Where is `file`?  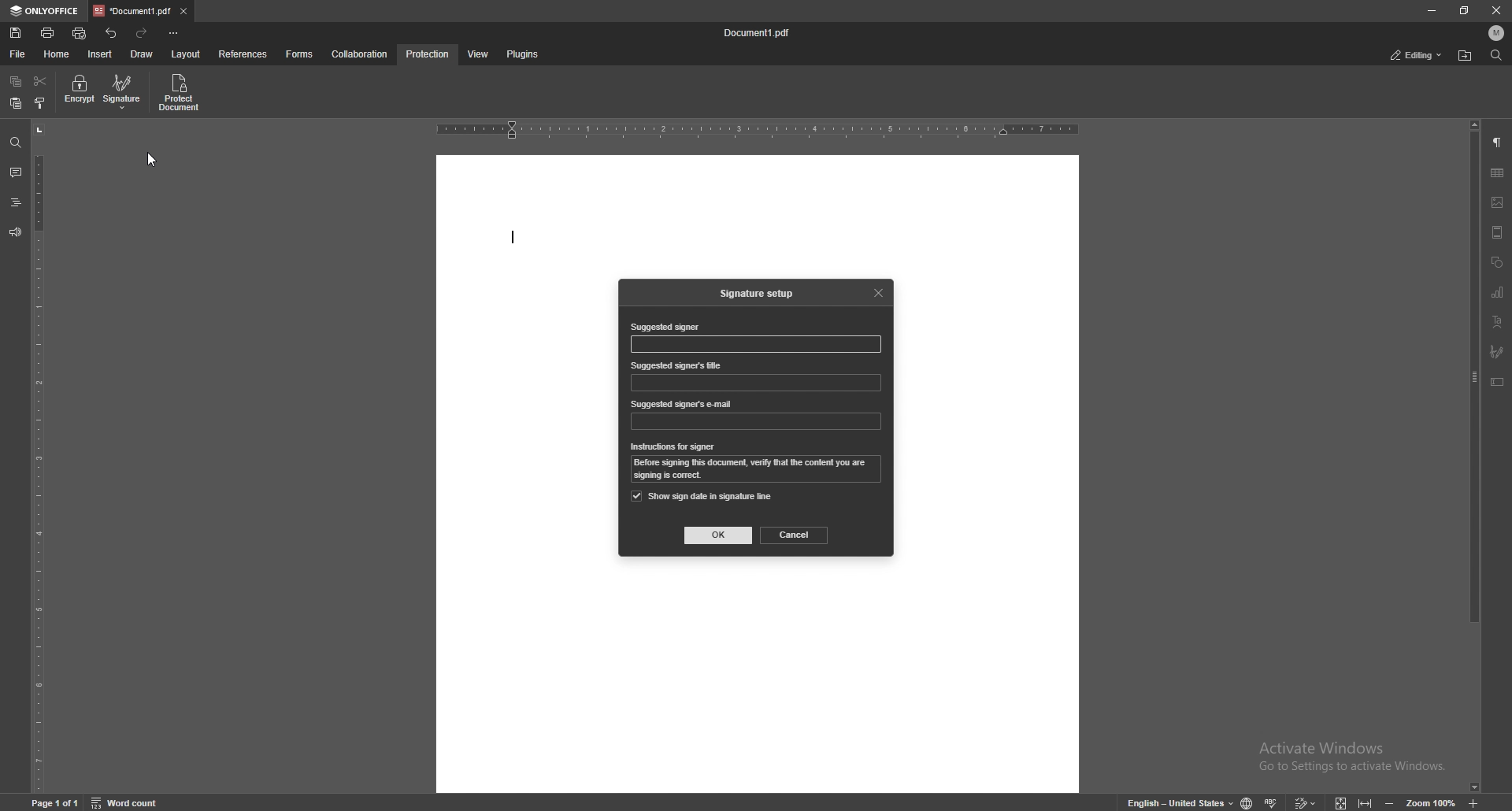
file is located at coordinates (19, 54).